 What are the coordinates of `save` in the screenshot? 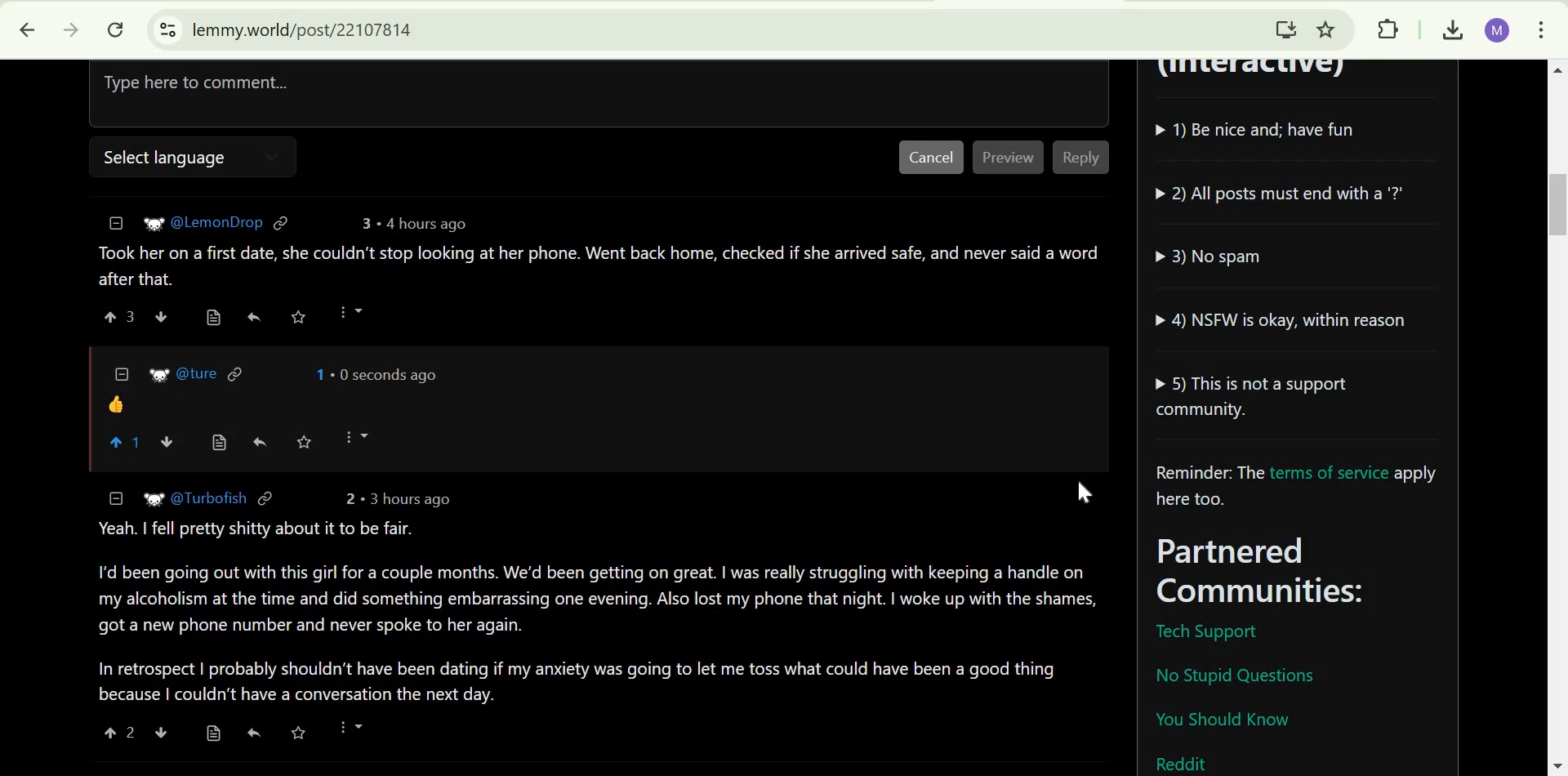 It's located at (307, 439).